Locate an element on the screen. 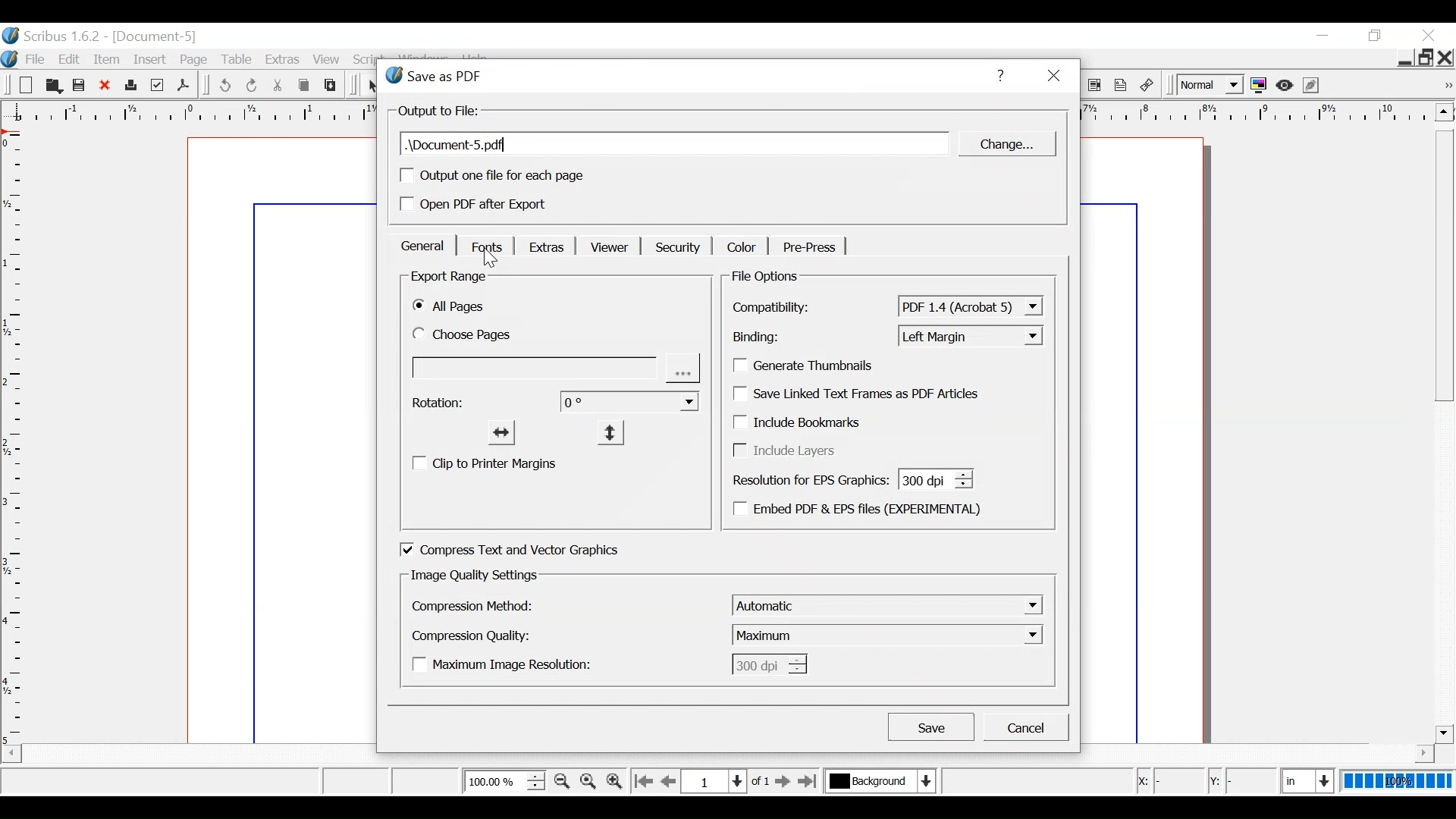 The image size is (1456, 819). Go to the last page is located at coordinates (809, 781).